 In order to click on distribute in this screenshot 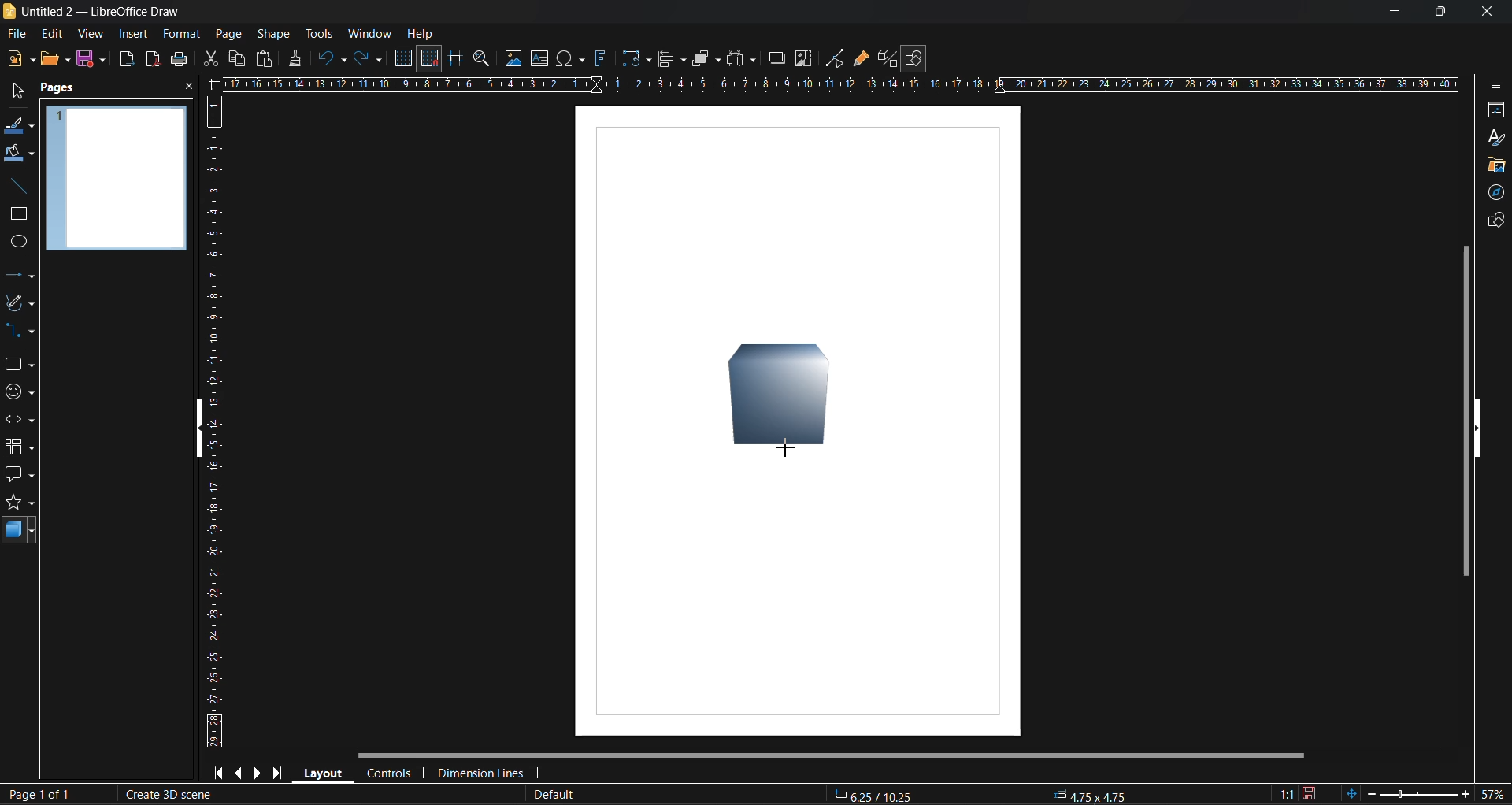, I will do `click(743, 57)`.